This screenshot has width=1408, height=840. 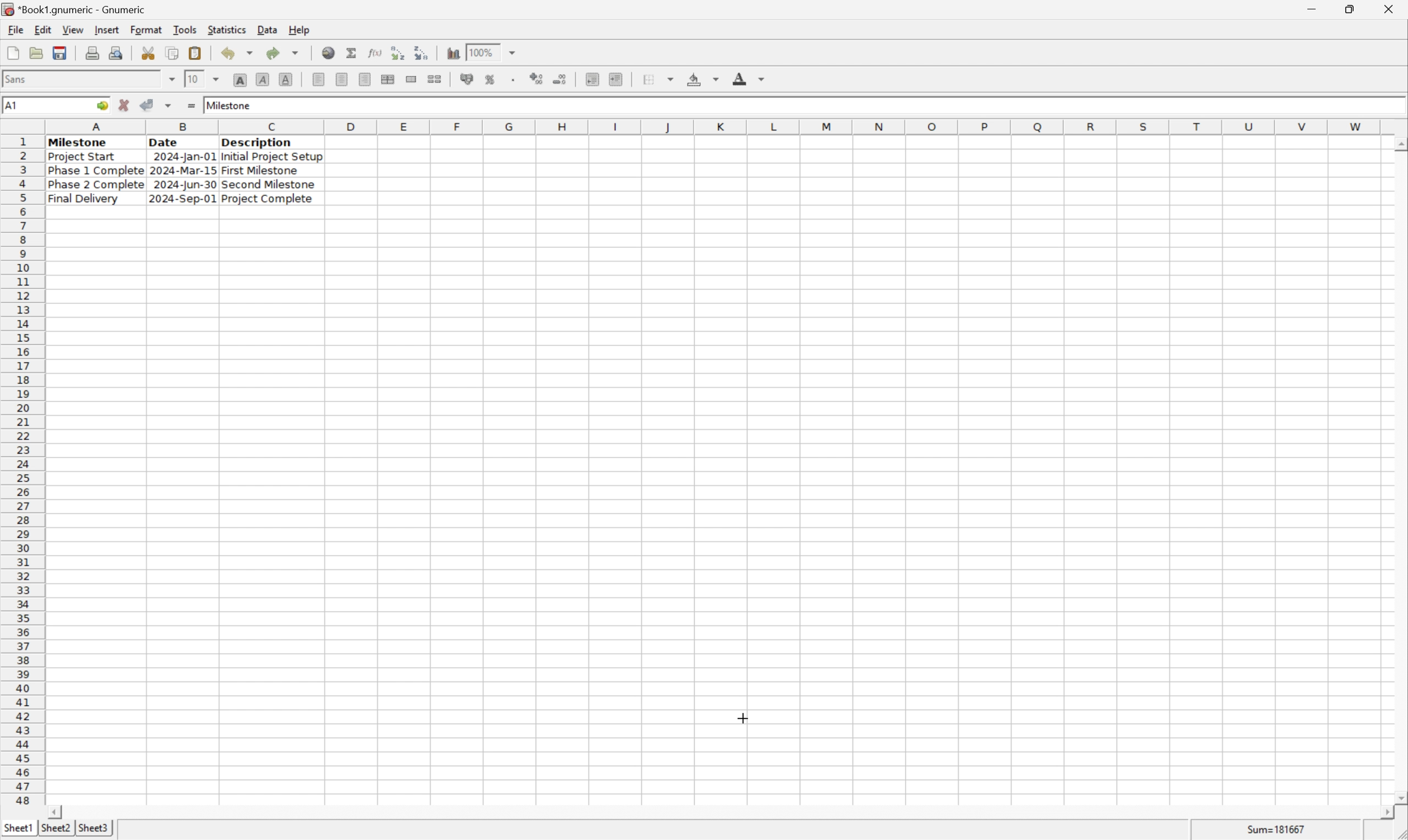 What do you see at coordinates (38, 53) in the screenshot?
I see `open a file` at bounding box center [38, 53].